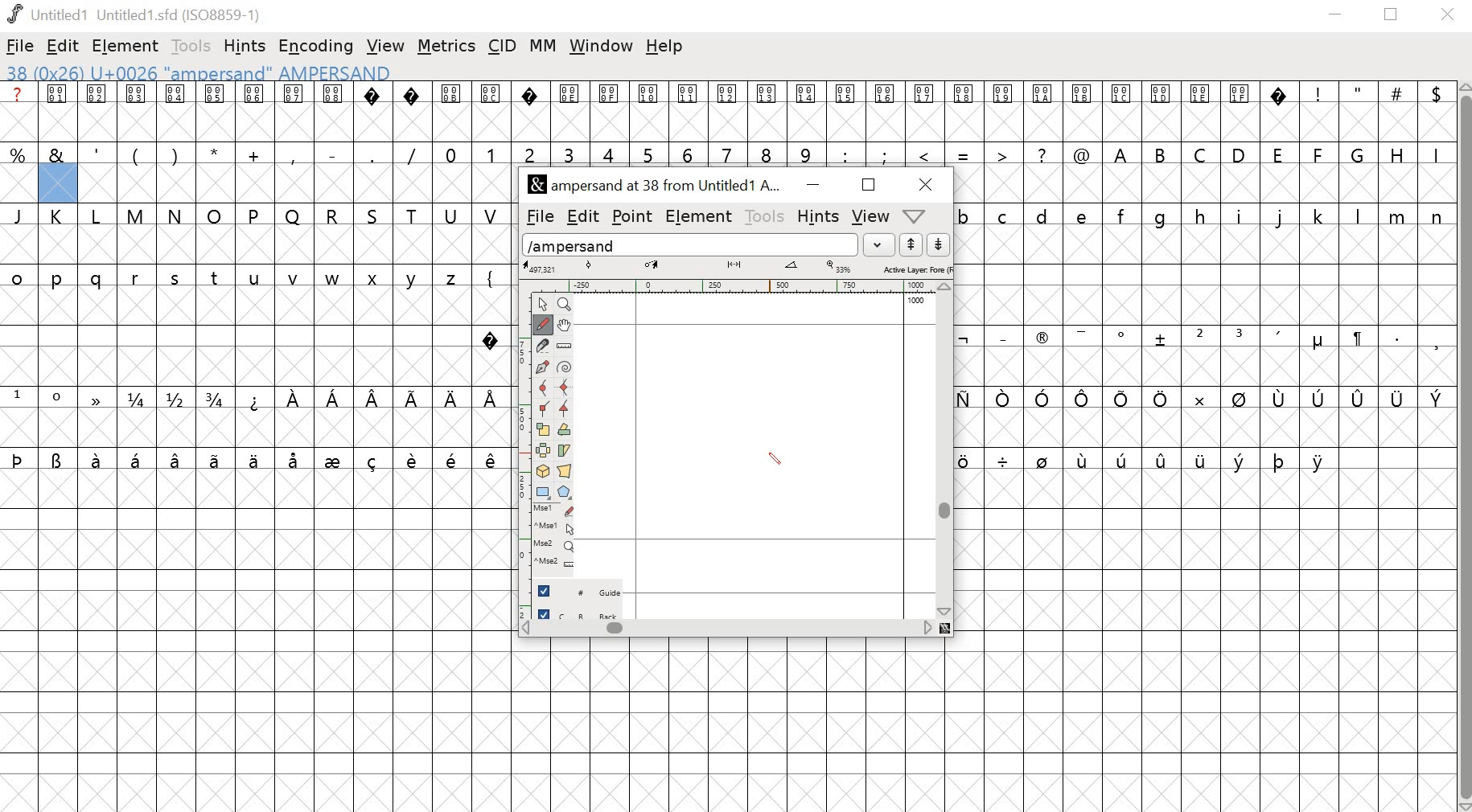 The height and width of the screenshot is (812, 1472). Describe the element at coordinates (99, 459) in the screenshot. I see `symbol` at that location.